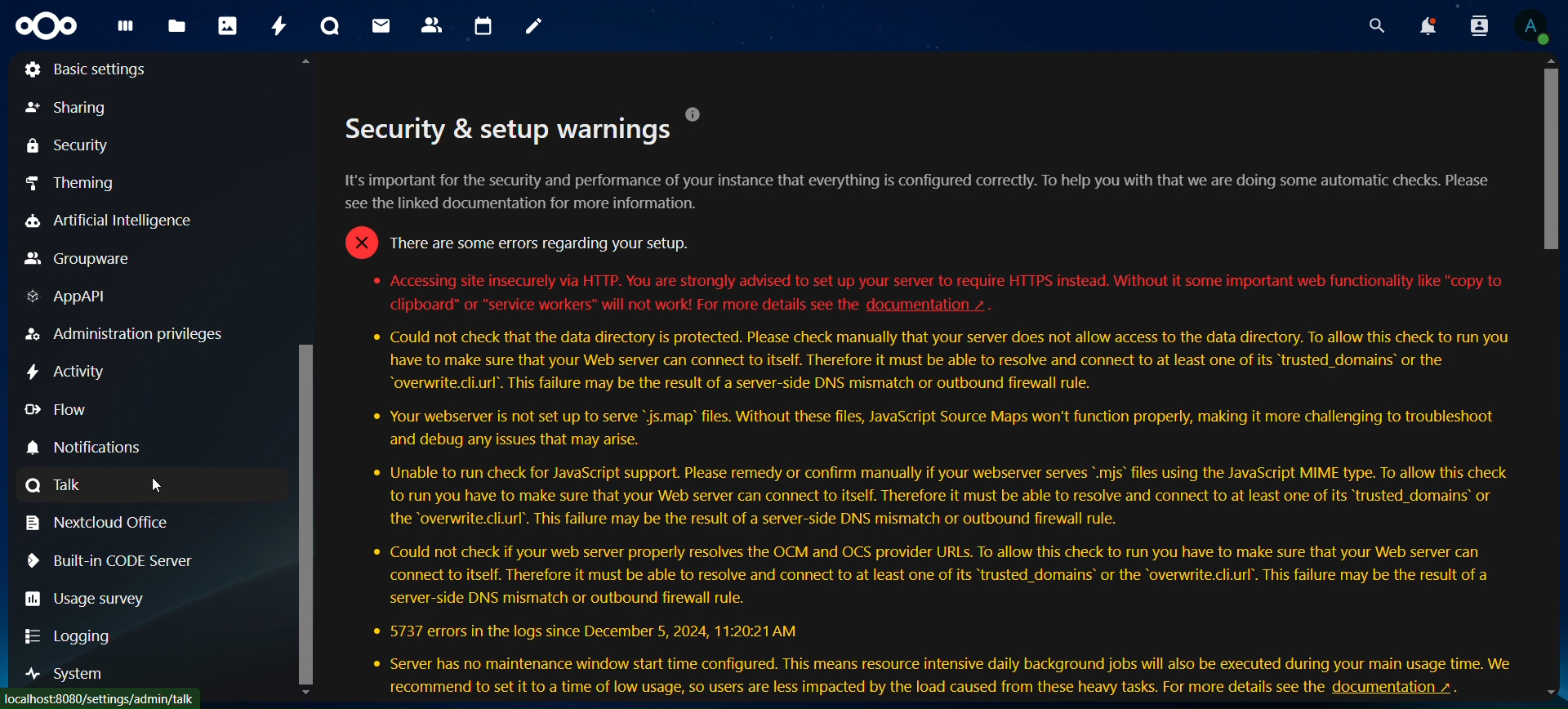 The height and width of the screenshot is (709, 1568). Describe the element at coordinates (105, 524) in the screenshot. I see `nextcloud office` at that location.